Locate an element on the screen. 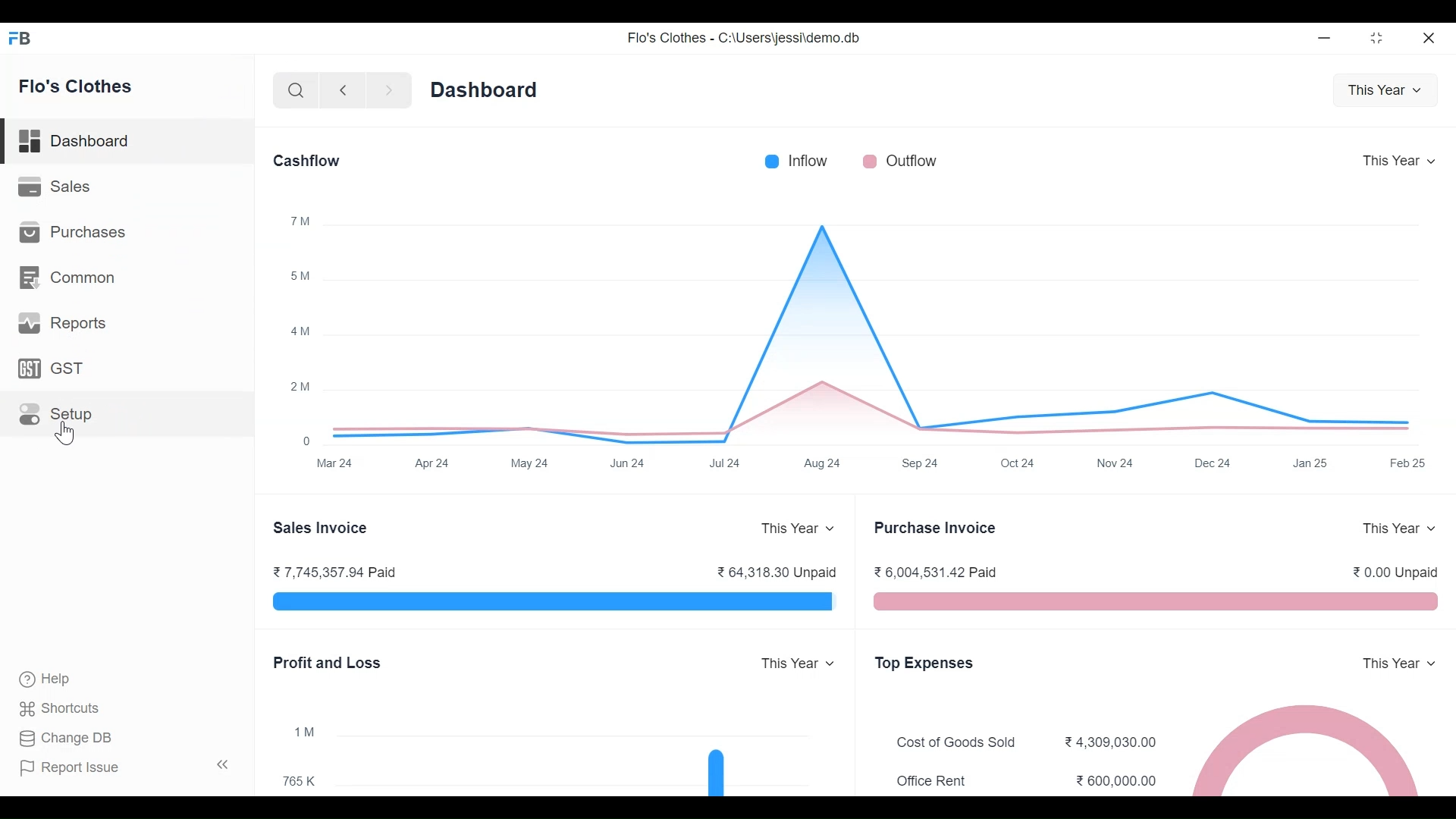  Nov 24 is located at coordinates (1115, 463).